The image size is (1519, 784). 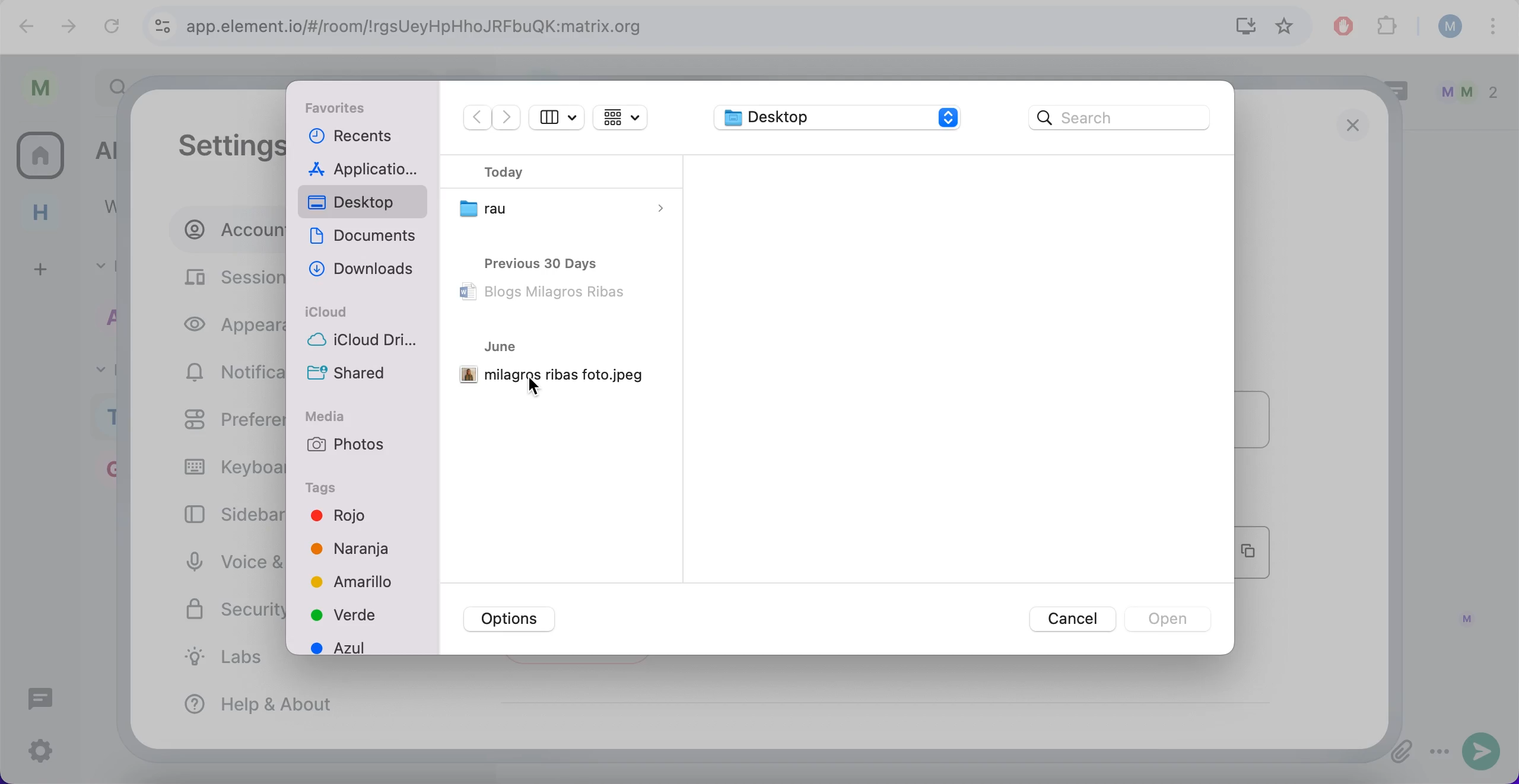 What do you see at coordinates (327, 415) in the screenshot?
I see `media` at bounding box center [327, 415].